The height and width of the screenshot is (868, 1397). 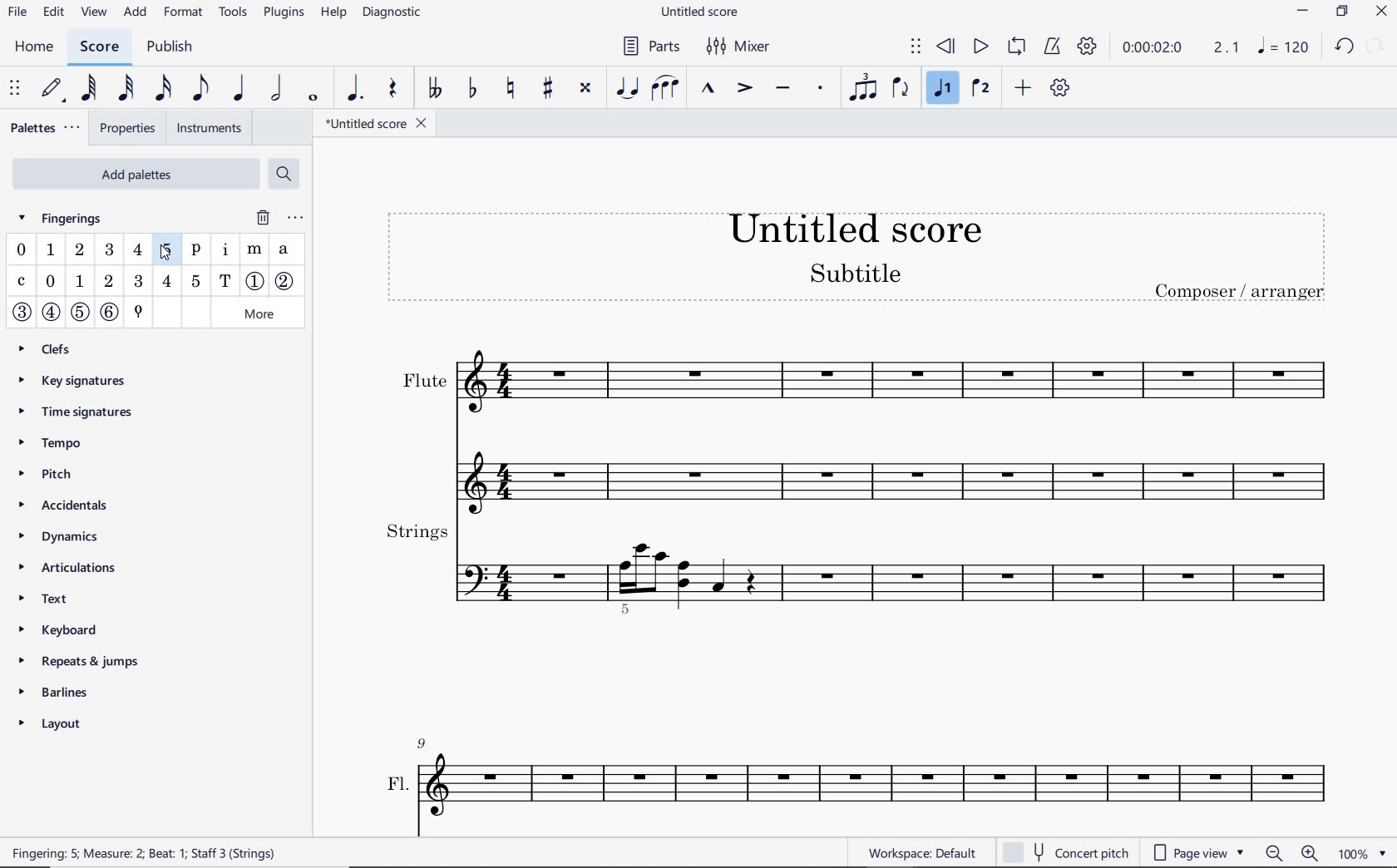 What do you see at coordinates (855, 254) in the screenshot?
I see `title` at bounding box center [855, 254].